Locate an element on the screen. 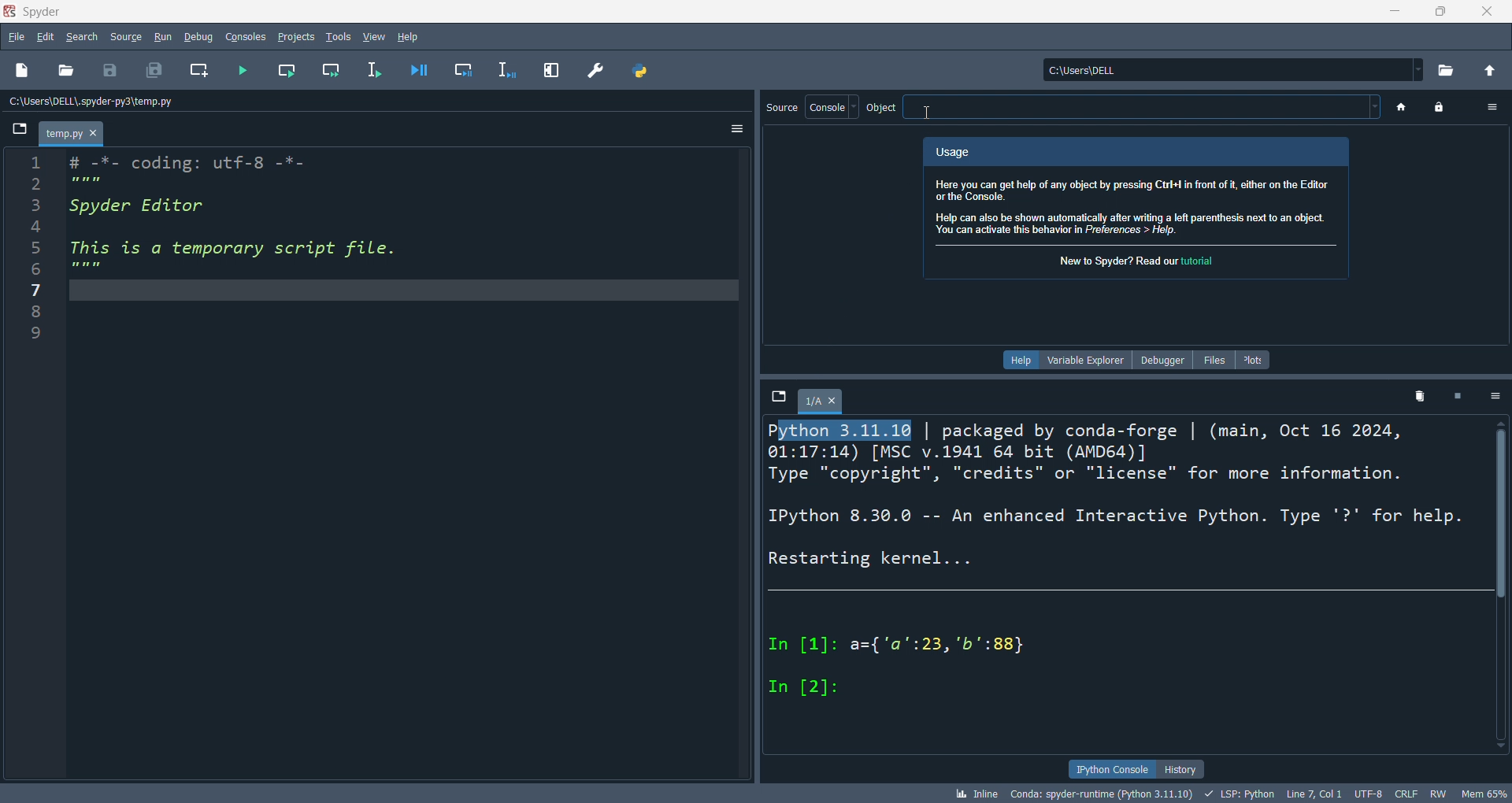 This screenshot has width=1512, height=803. files is located at coordinates (1210, 358).